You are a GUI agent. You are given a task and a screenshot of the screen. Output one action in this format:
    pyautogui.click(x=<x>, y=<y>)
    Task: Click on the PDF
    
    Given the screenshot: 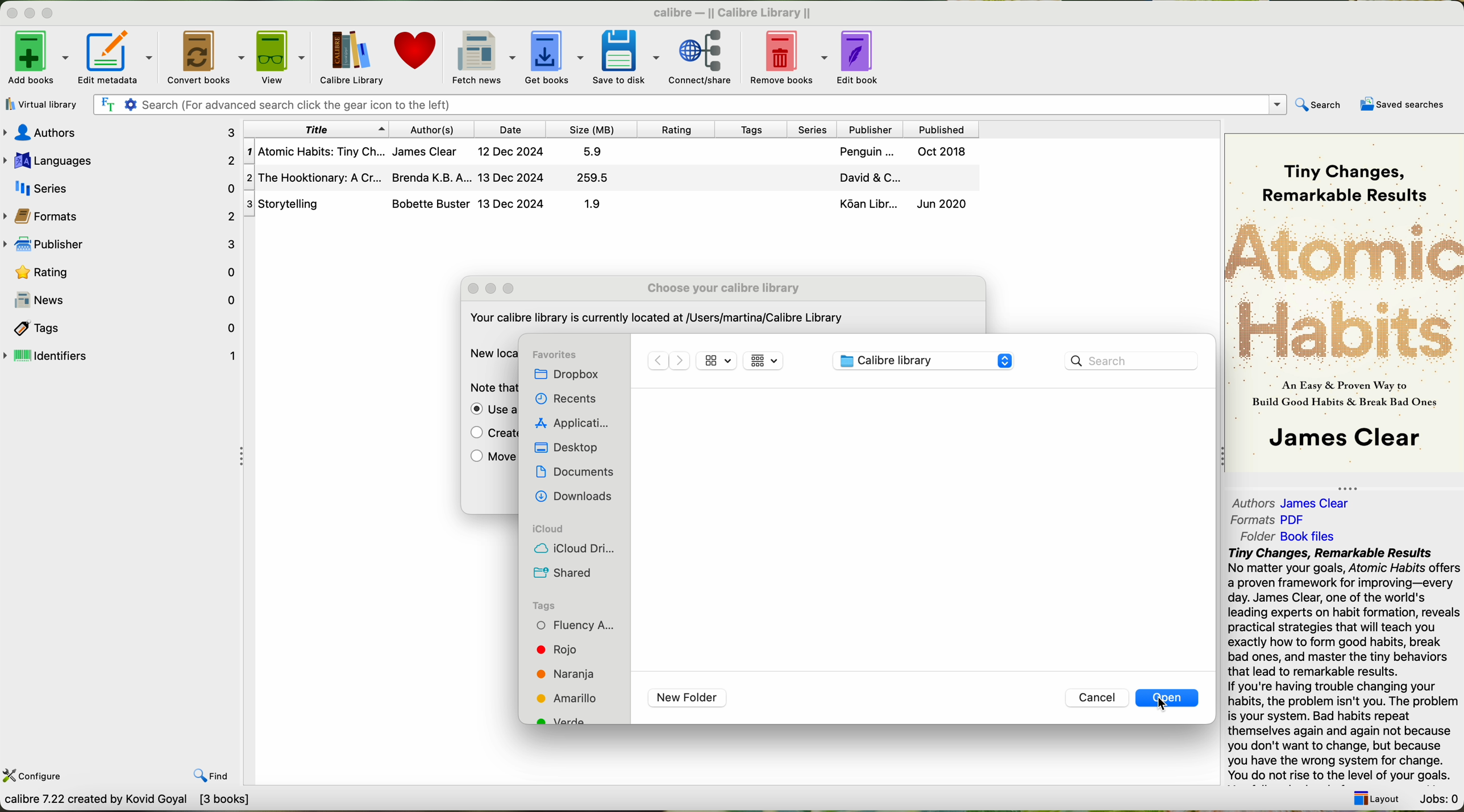 What is the action you would take?
    pyautogui.click(x=1299, y=519)
    